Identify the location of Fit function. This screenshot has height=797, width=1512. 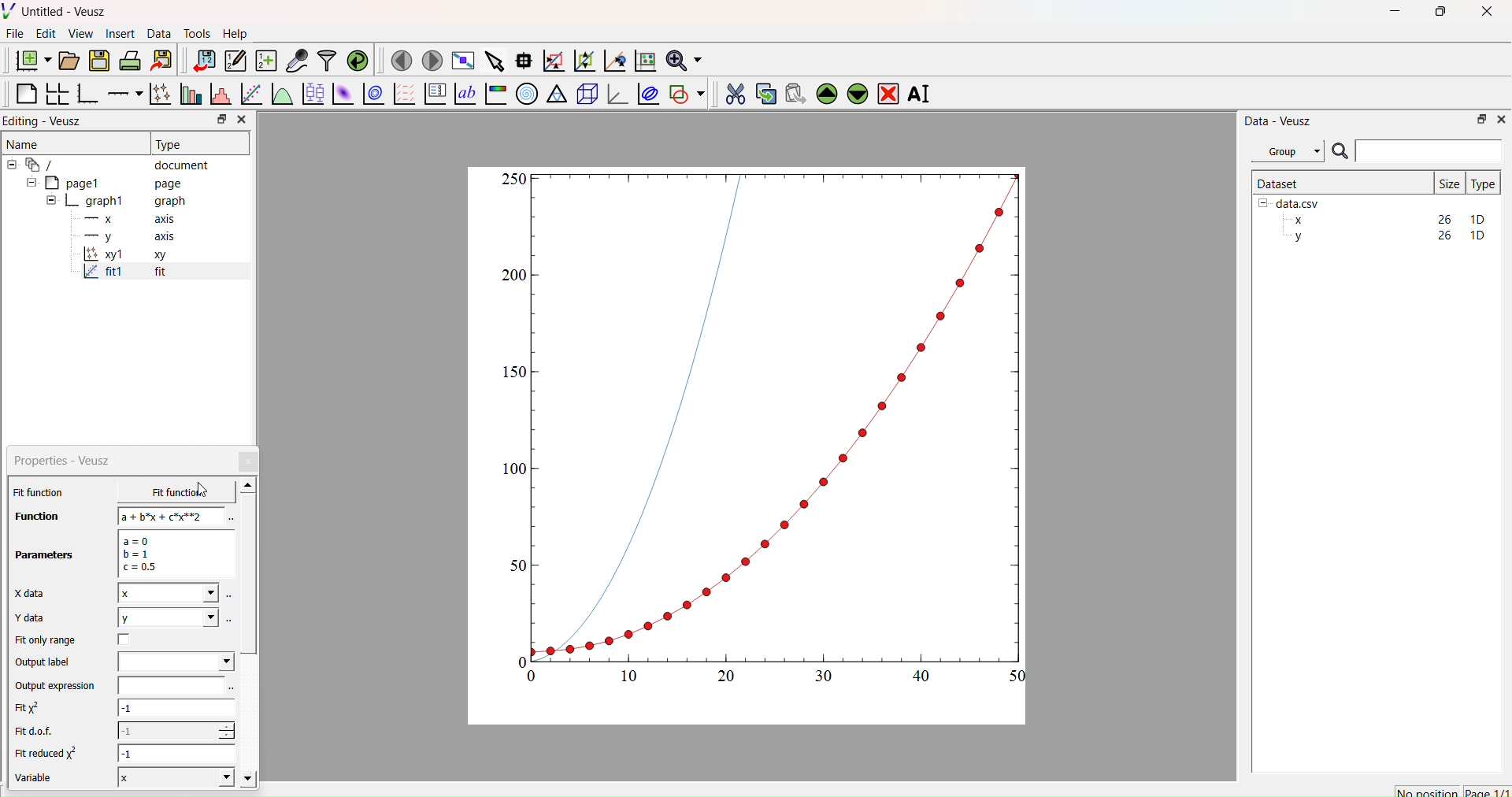
(40, 492).